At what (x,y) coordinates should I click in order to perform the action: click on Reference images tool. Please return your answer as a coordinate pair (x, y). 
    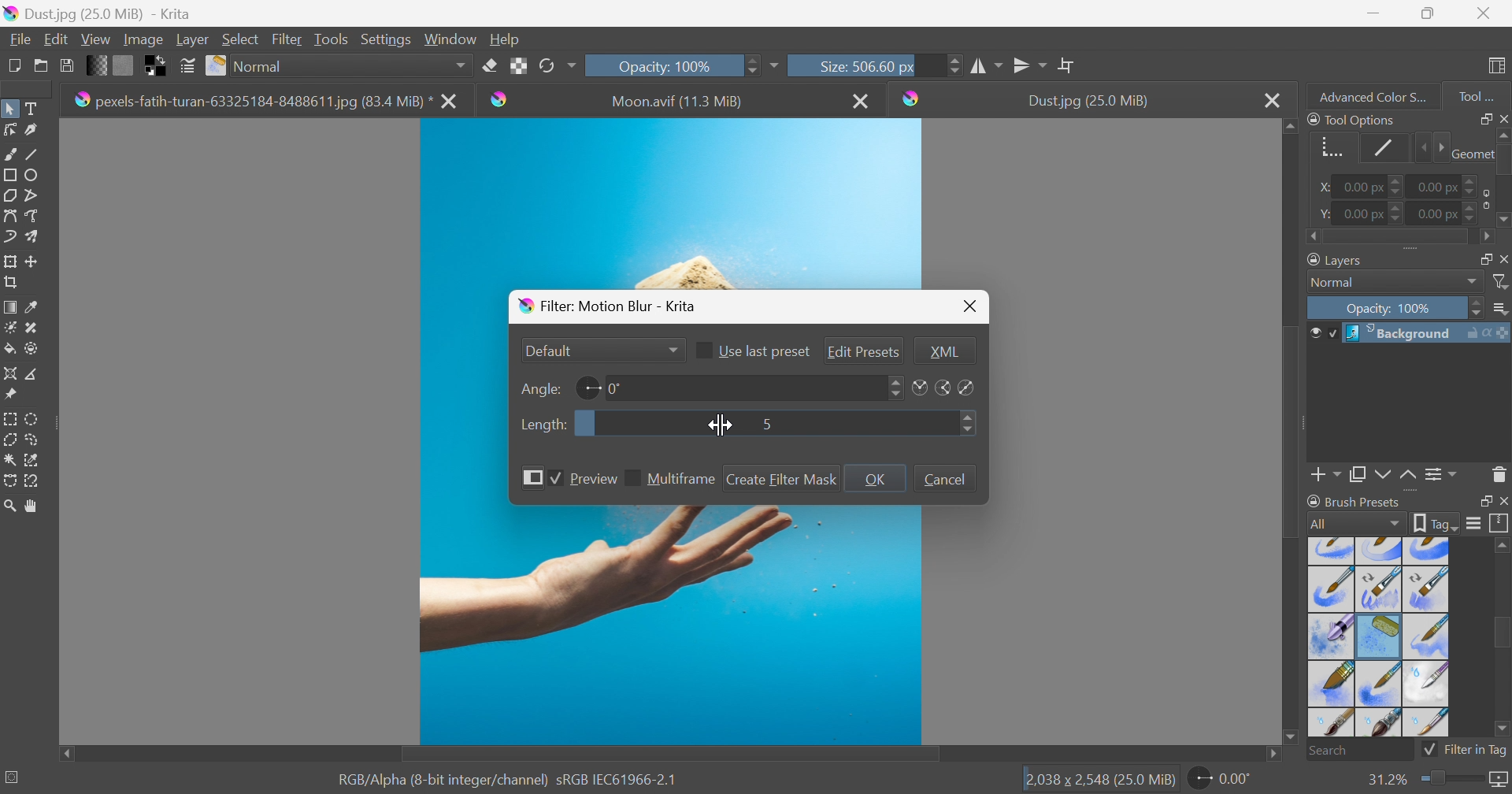
    Looking at the image, I should click on (9, 393).